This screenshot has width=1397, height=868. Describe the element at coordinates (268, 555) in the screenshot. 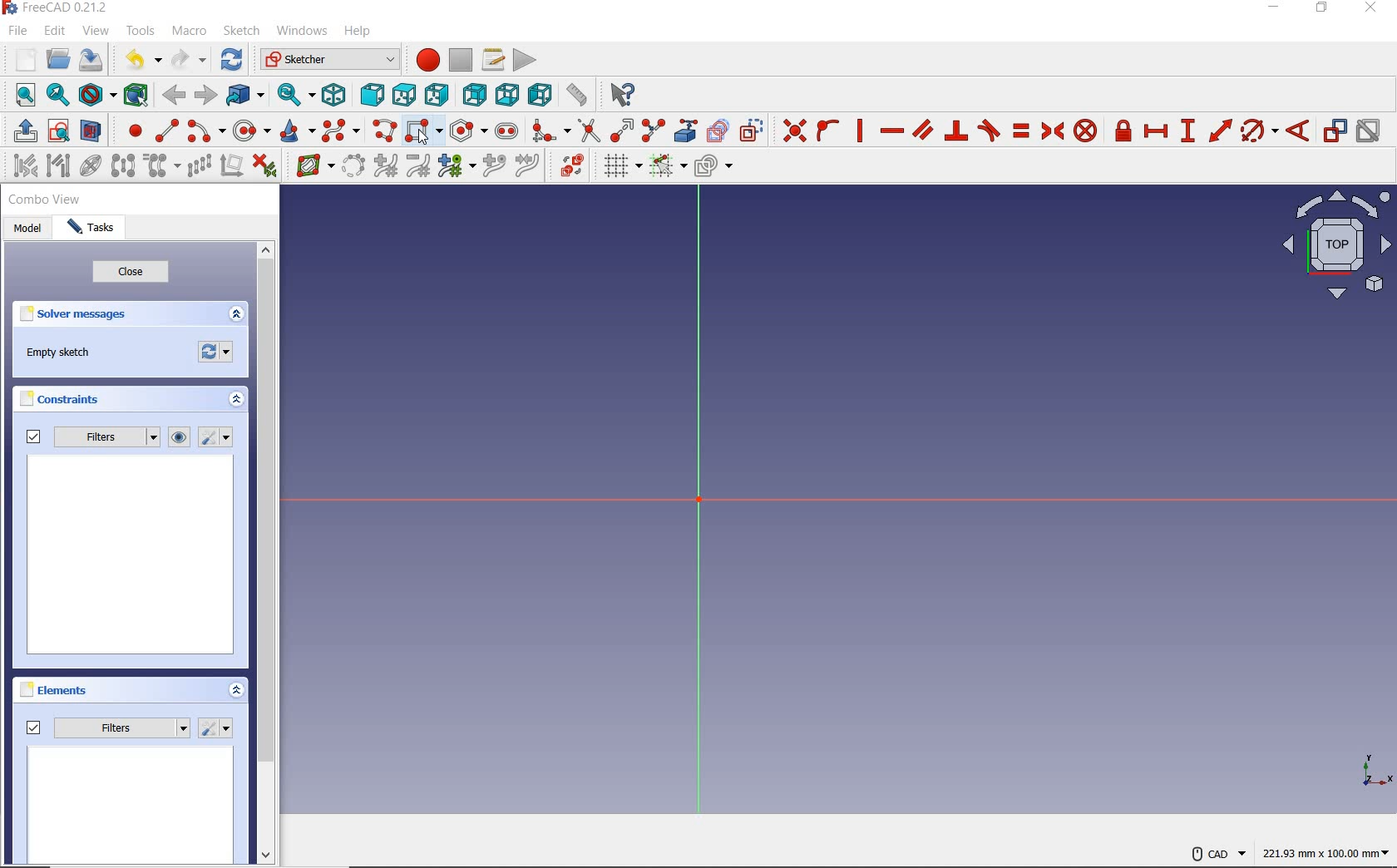

I see `scrollbar` at that location.